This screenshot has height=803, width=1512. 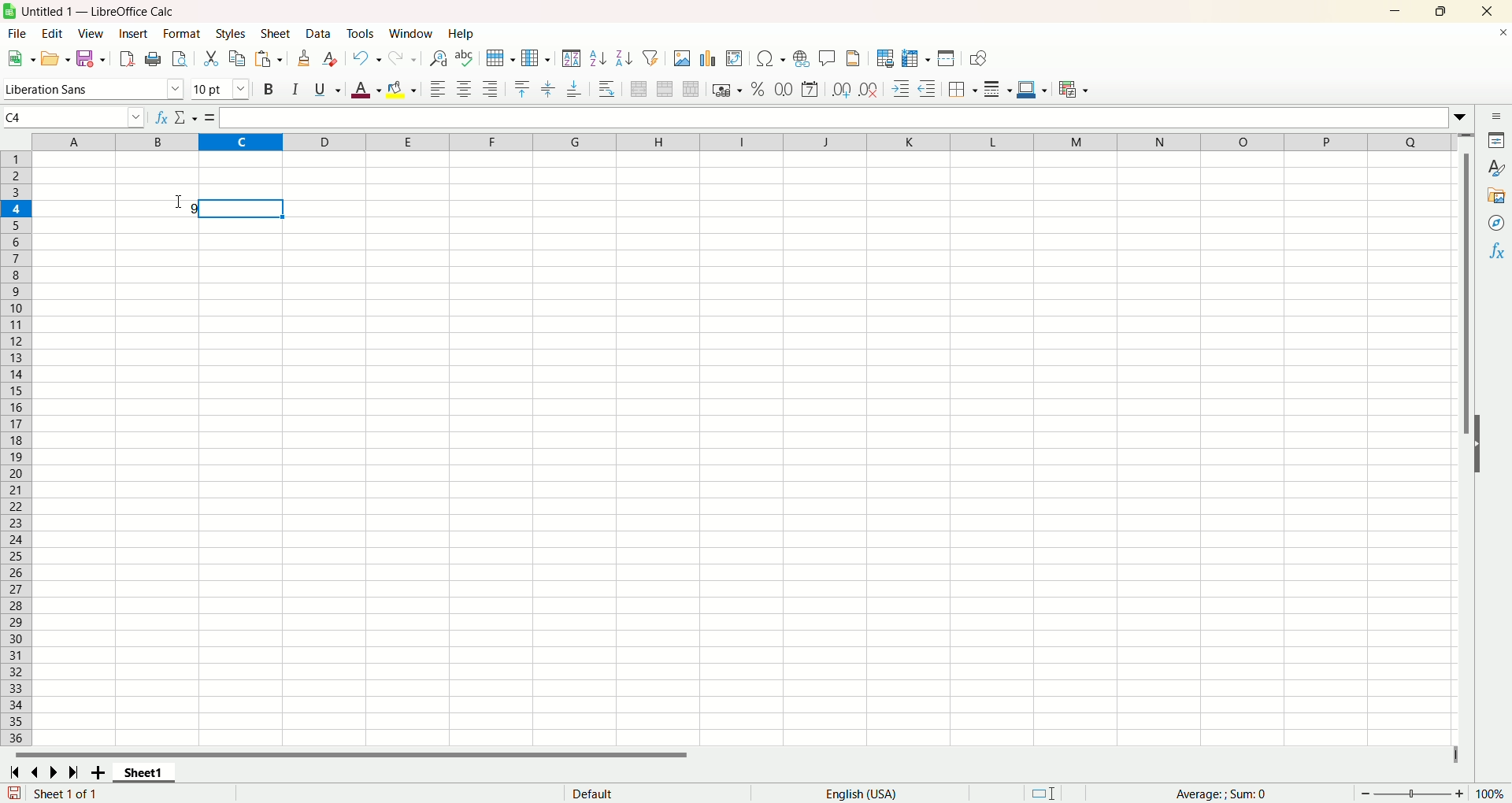 What do you see at coordinates (916, 58) in the screenshot?
I see `freeze row and column` at bounding box center [916, 58].